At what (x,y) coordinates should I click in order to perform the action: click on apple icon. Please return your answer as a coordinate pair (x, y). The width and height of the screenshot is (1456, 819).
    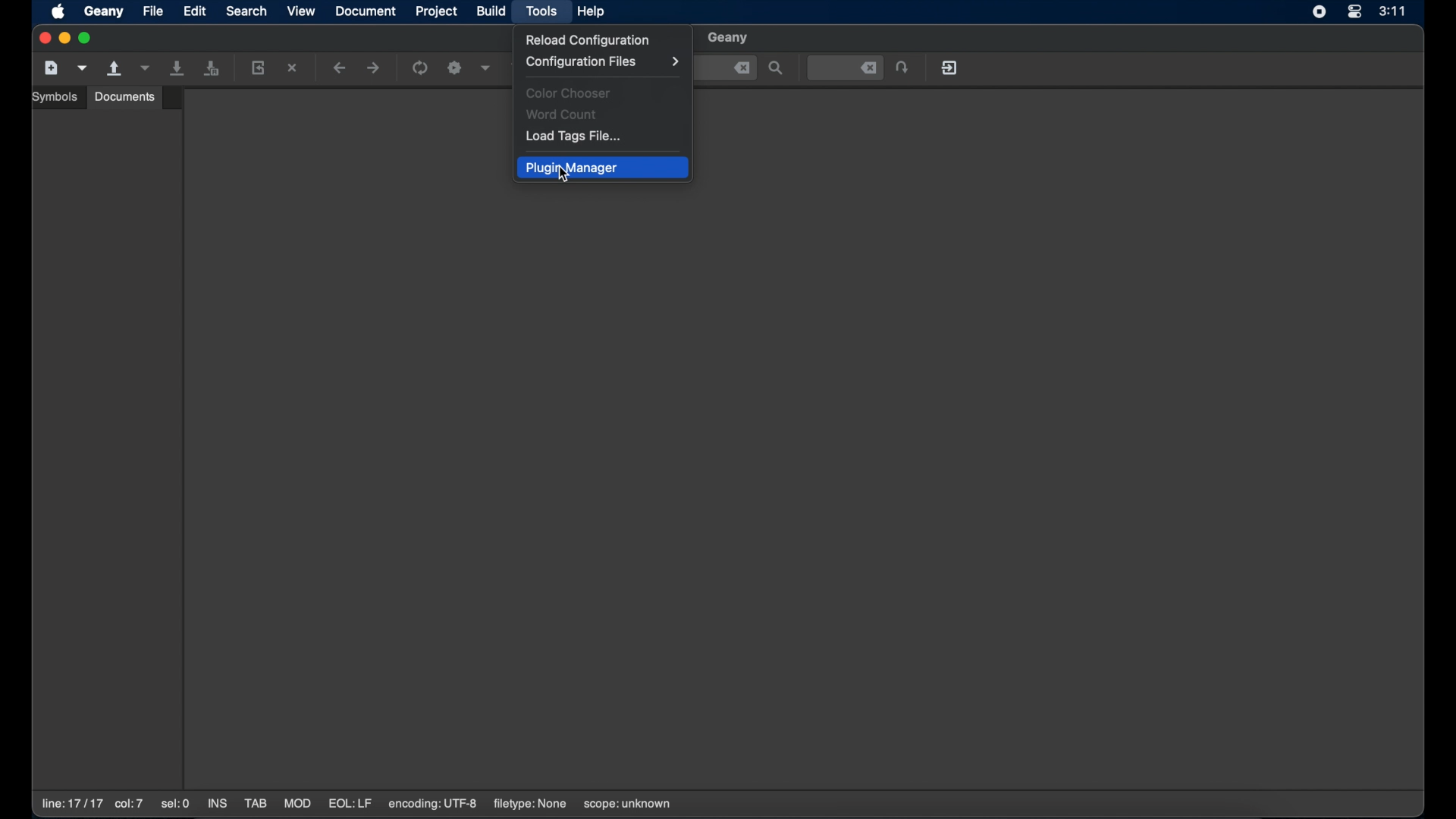
    Looking at the image, I should click on (60, 13).